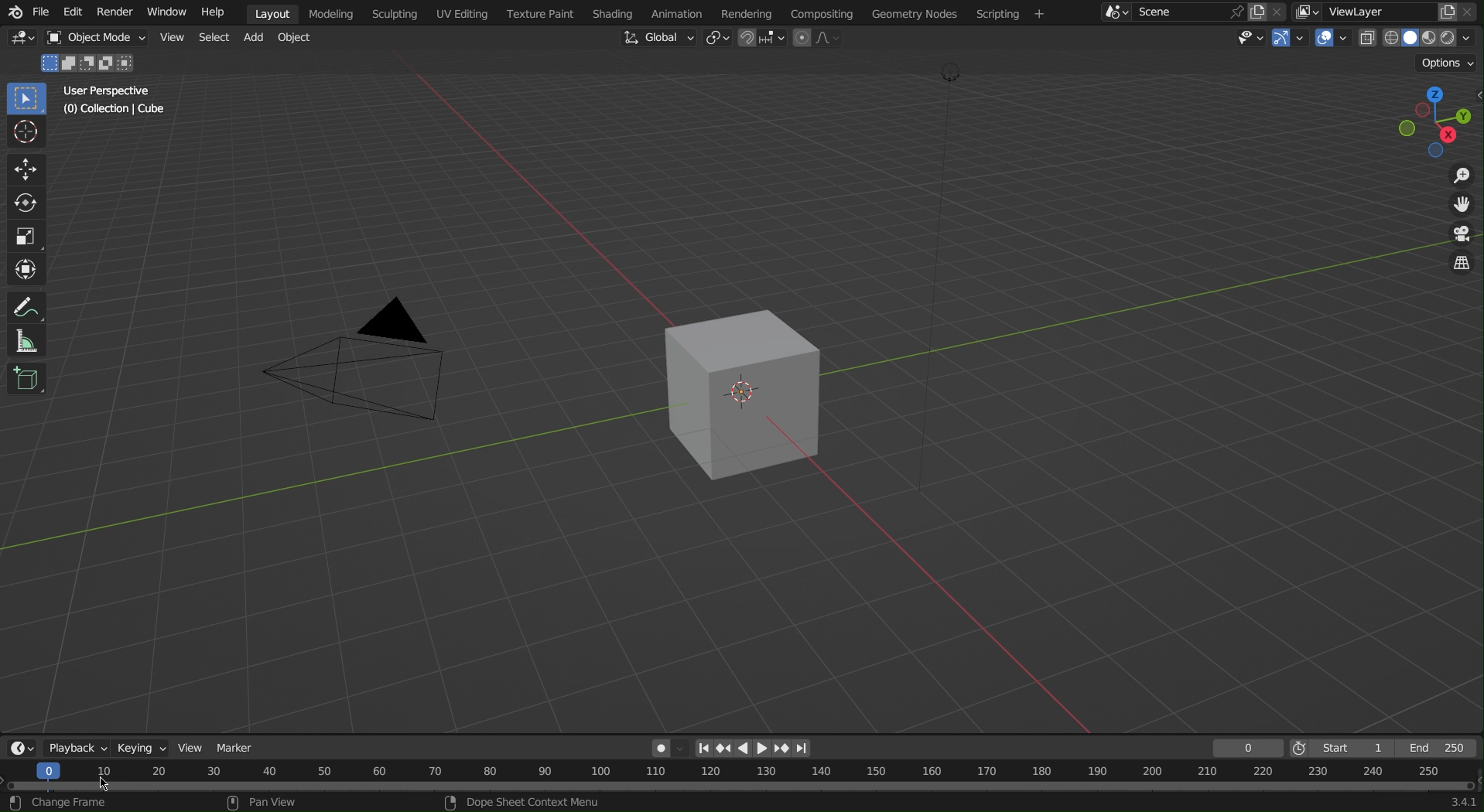 This screenshot has height=812, width=1484. I want to click on Scale, so click(26, 234).